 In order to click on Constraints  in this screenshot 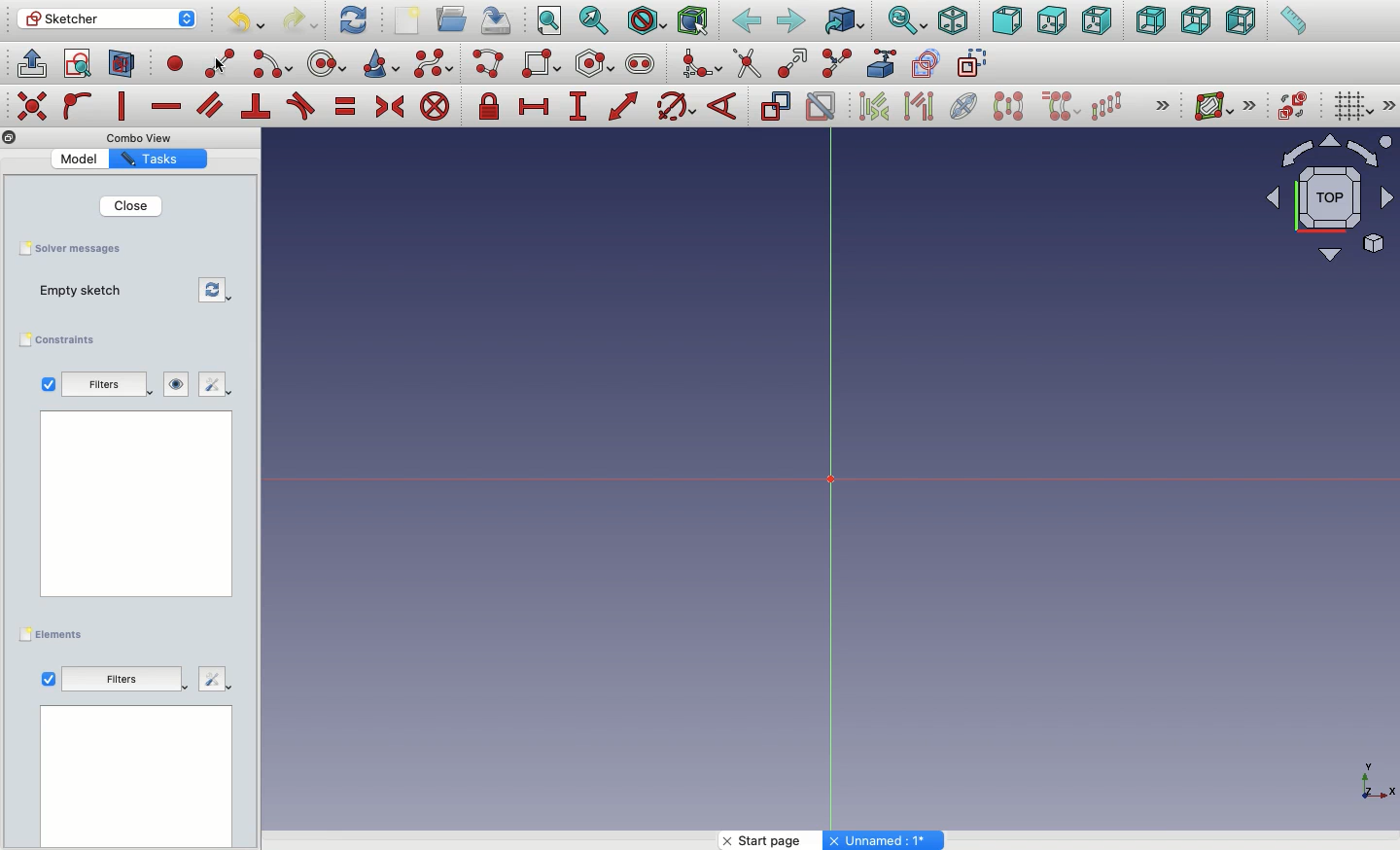, I will do `click(62, 339)`.